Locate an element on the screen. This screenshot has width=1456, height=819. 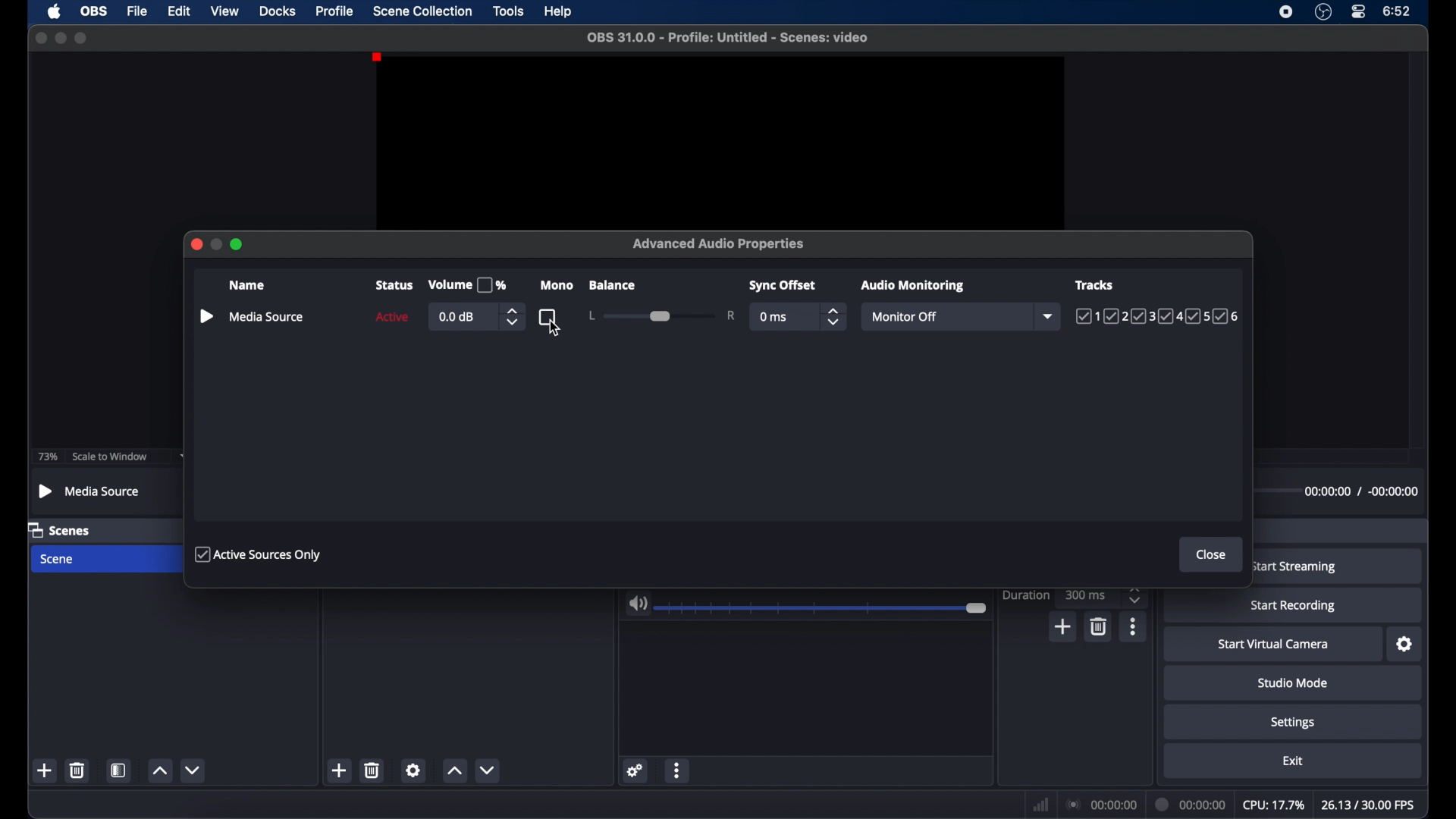
close is located at coordinates (40, 38).